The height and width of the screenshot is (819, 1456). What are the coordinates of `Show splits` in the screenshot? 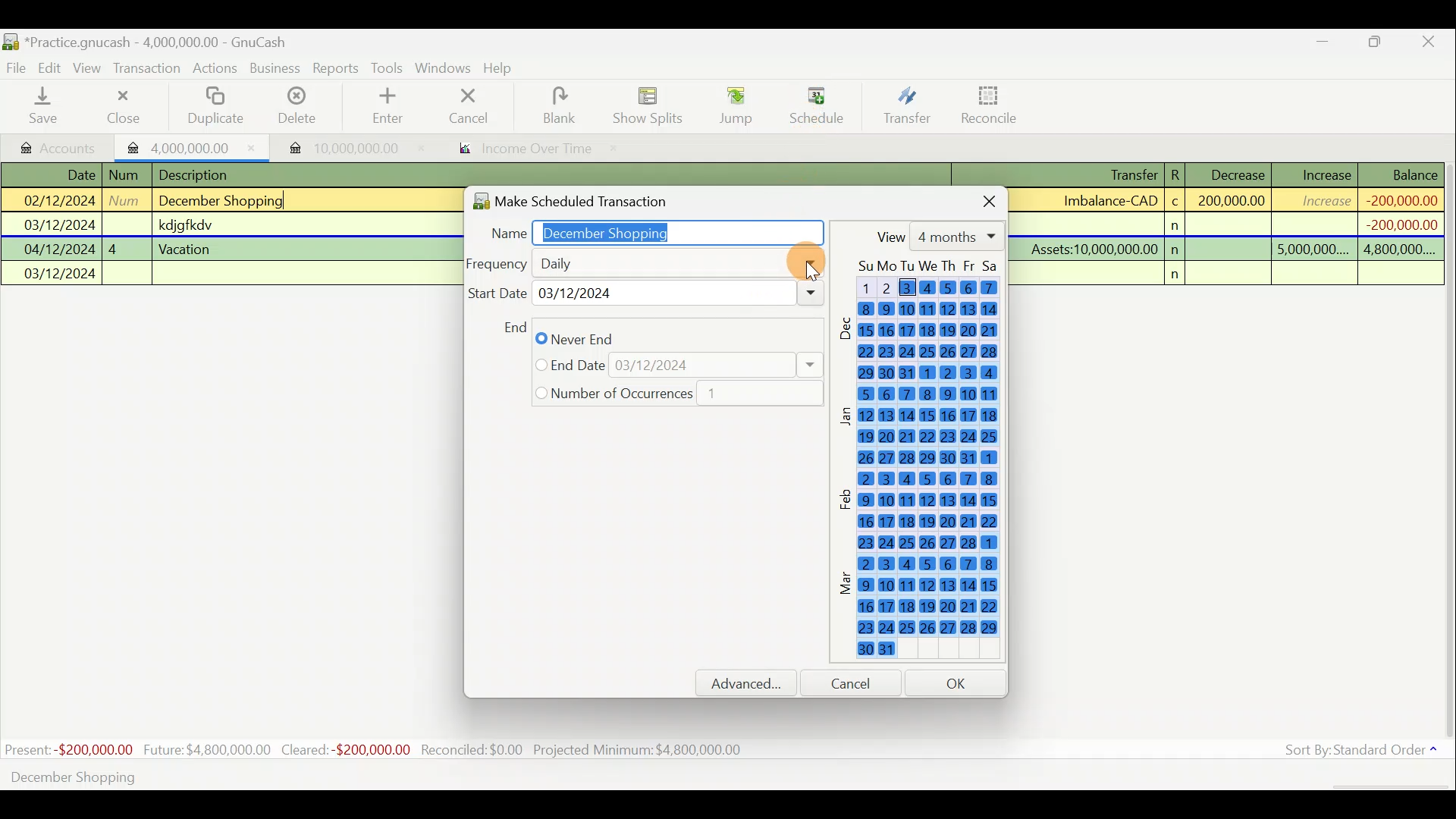 It's located at (652, 105).